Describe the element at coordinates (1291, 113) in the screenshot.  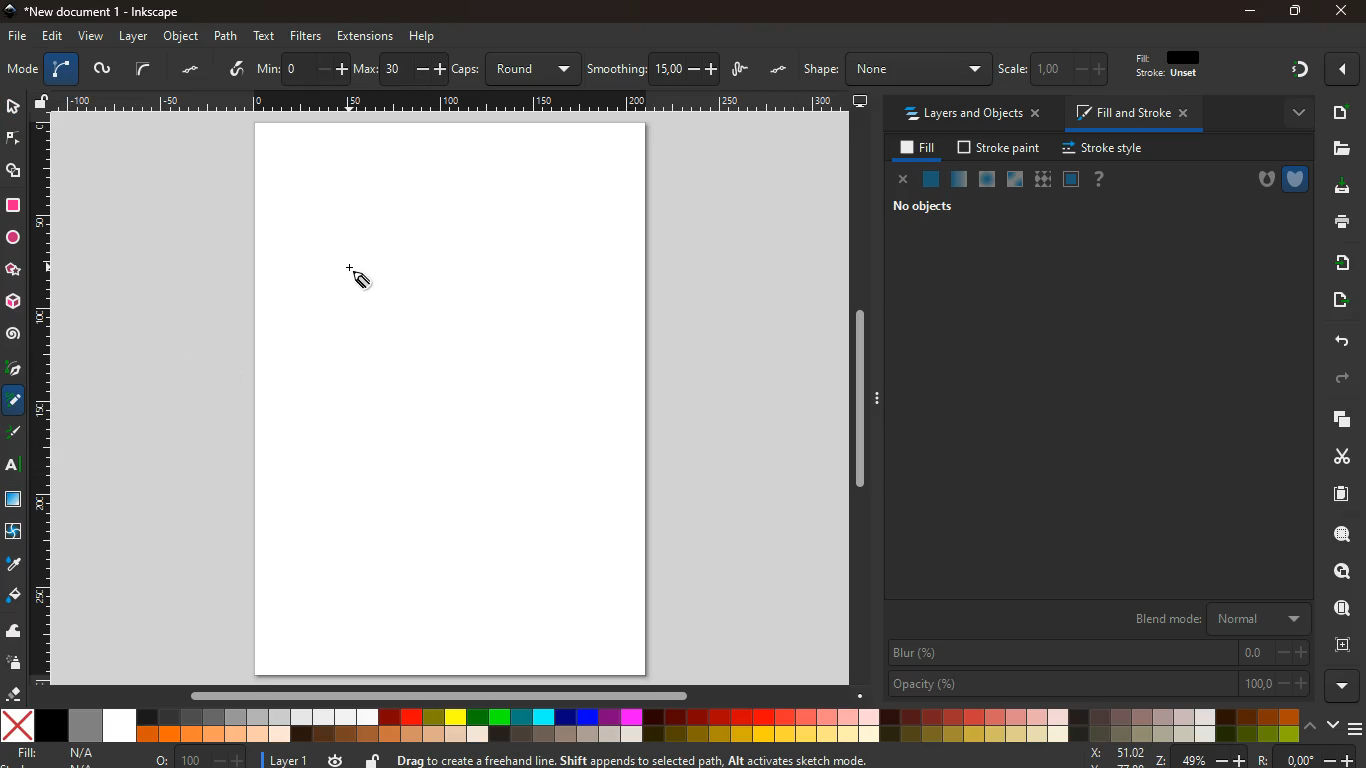
I see `more` at that location.